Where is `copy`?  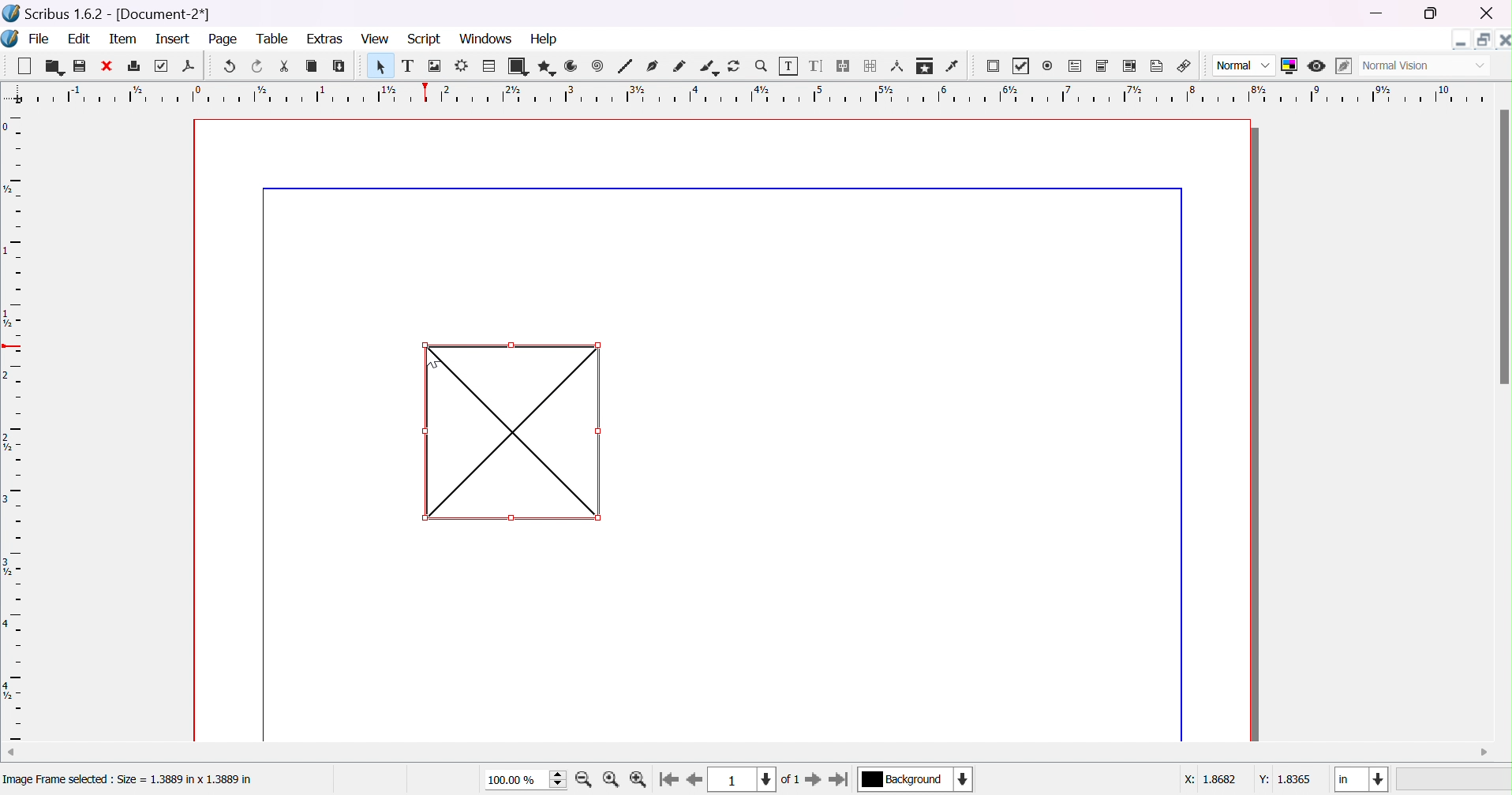
copy is located at coordinates (312, 66).